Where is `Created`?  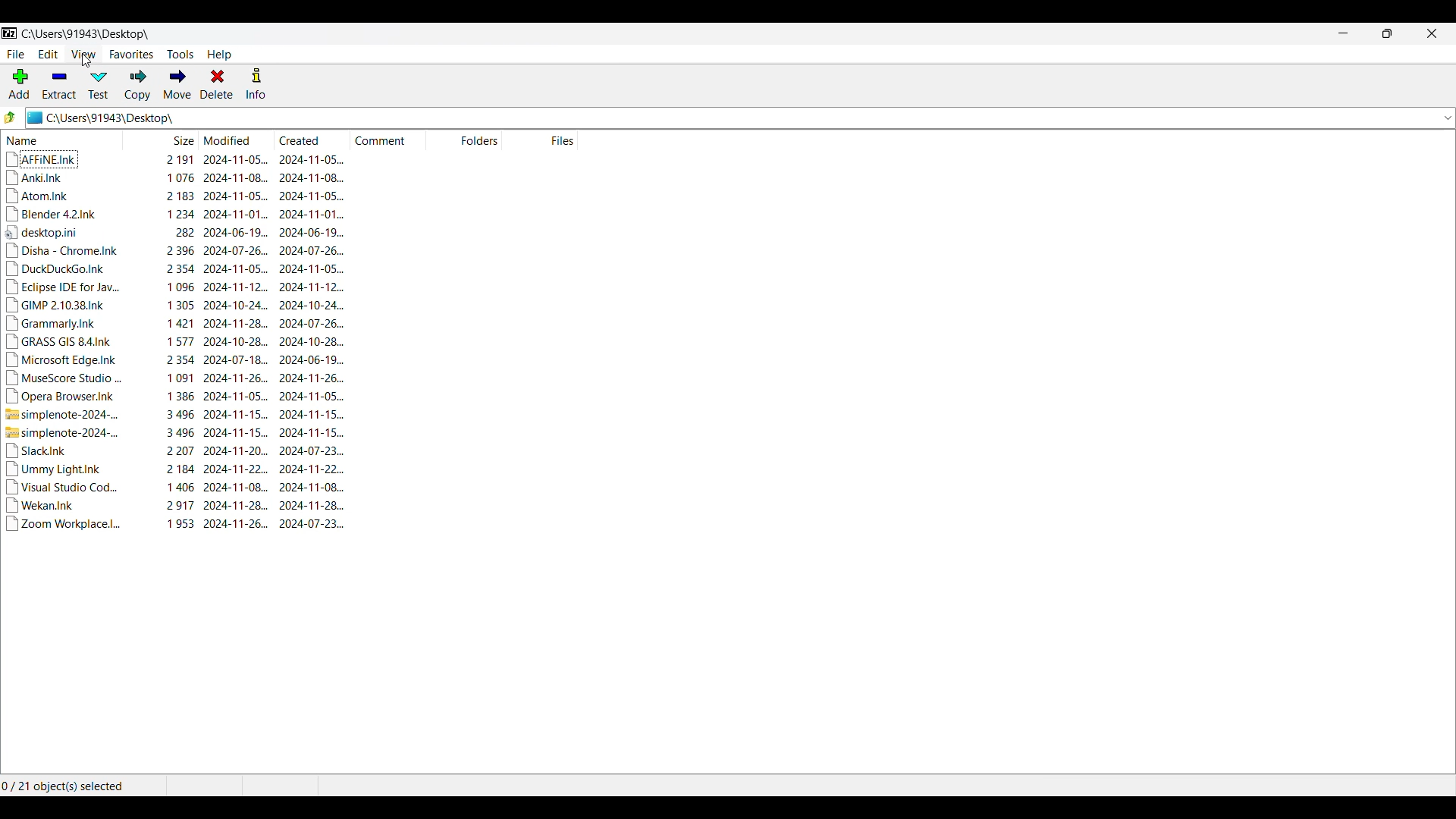 Created is located at coordinates (309, 140).